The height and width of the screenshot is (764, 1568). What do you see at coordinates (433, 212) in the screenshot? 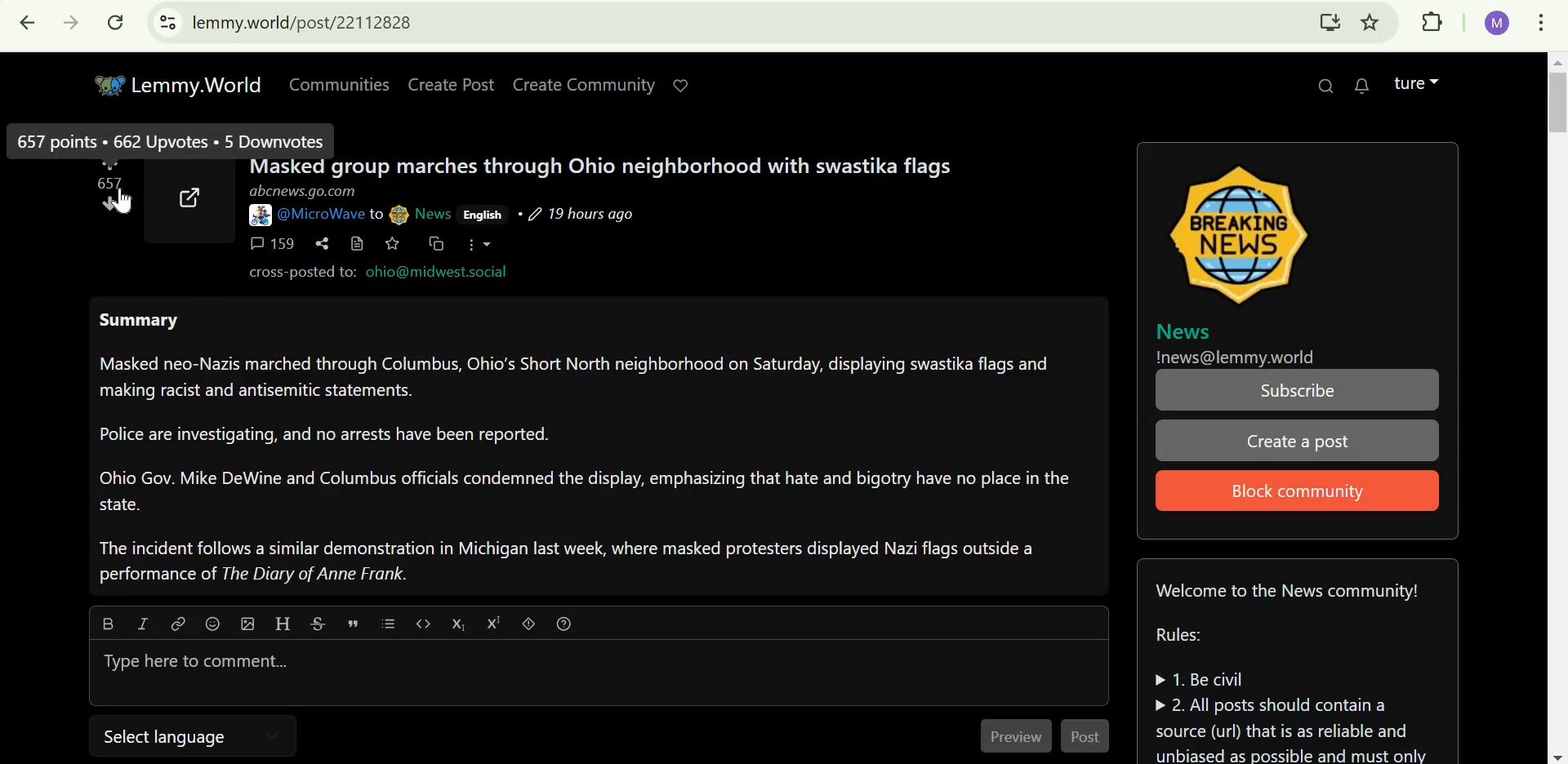
I see `News` at bounding box center [433, 212].